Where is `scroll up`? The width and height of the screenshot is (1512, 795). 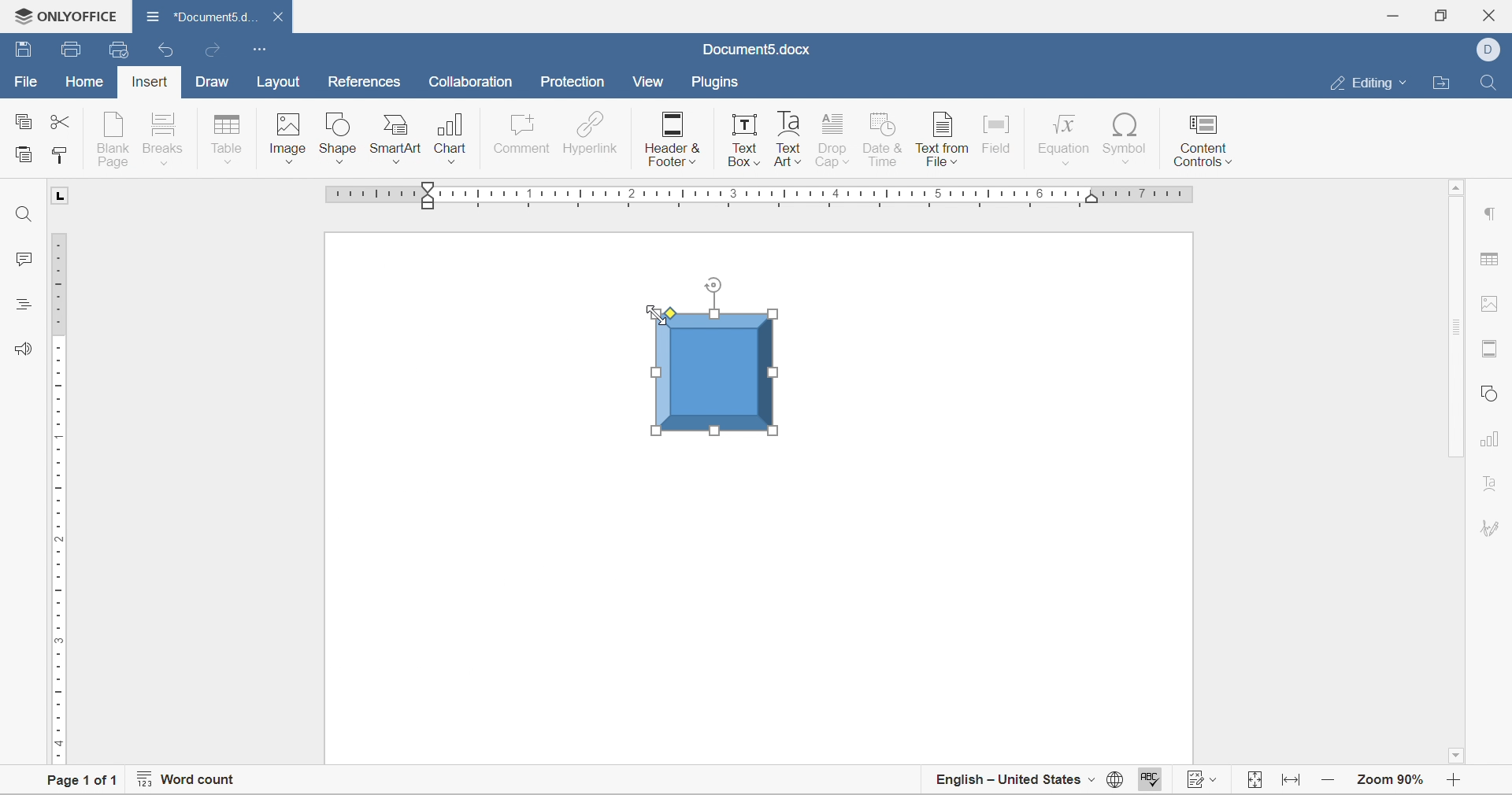 scroll up is located at coordinates (1458, 187).